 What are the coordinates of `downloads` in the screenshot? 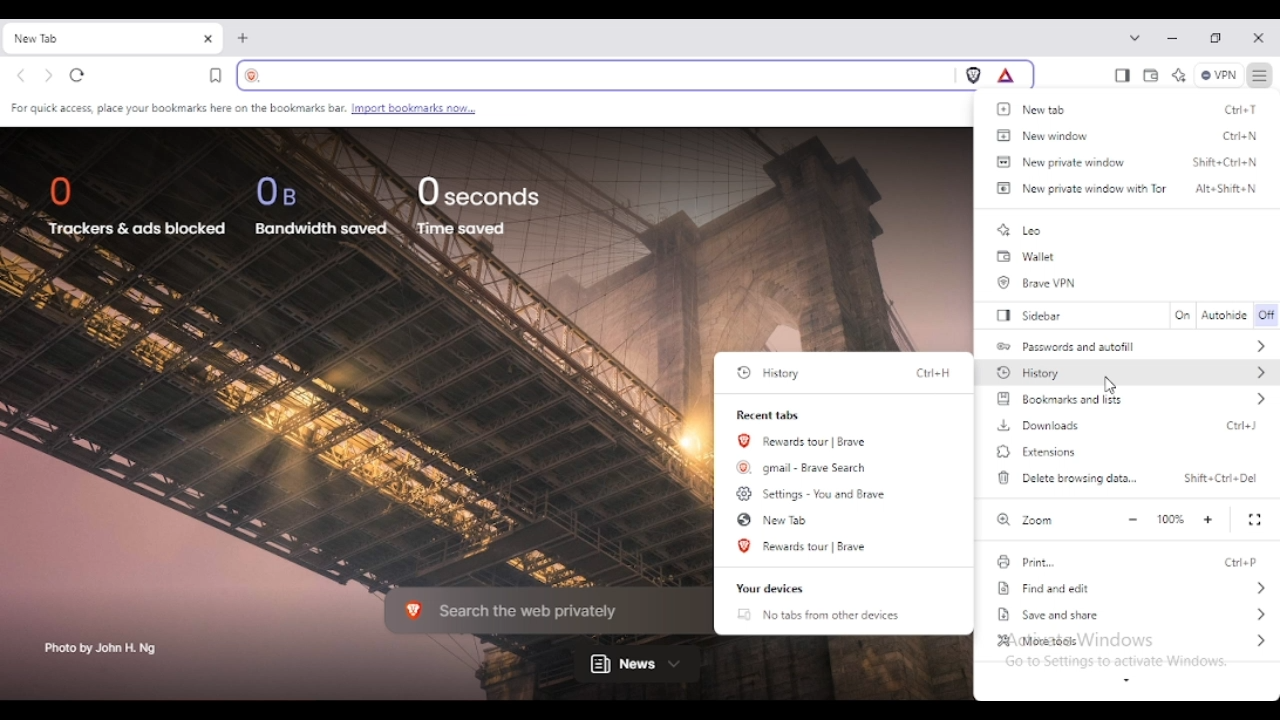 It's located at (1038, 425).